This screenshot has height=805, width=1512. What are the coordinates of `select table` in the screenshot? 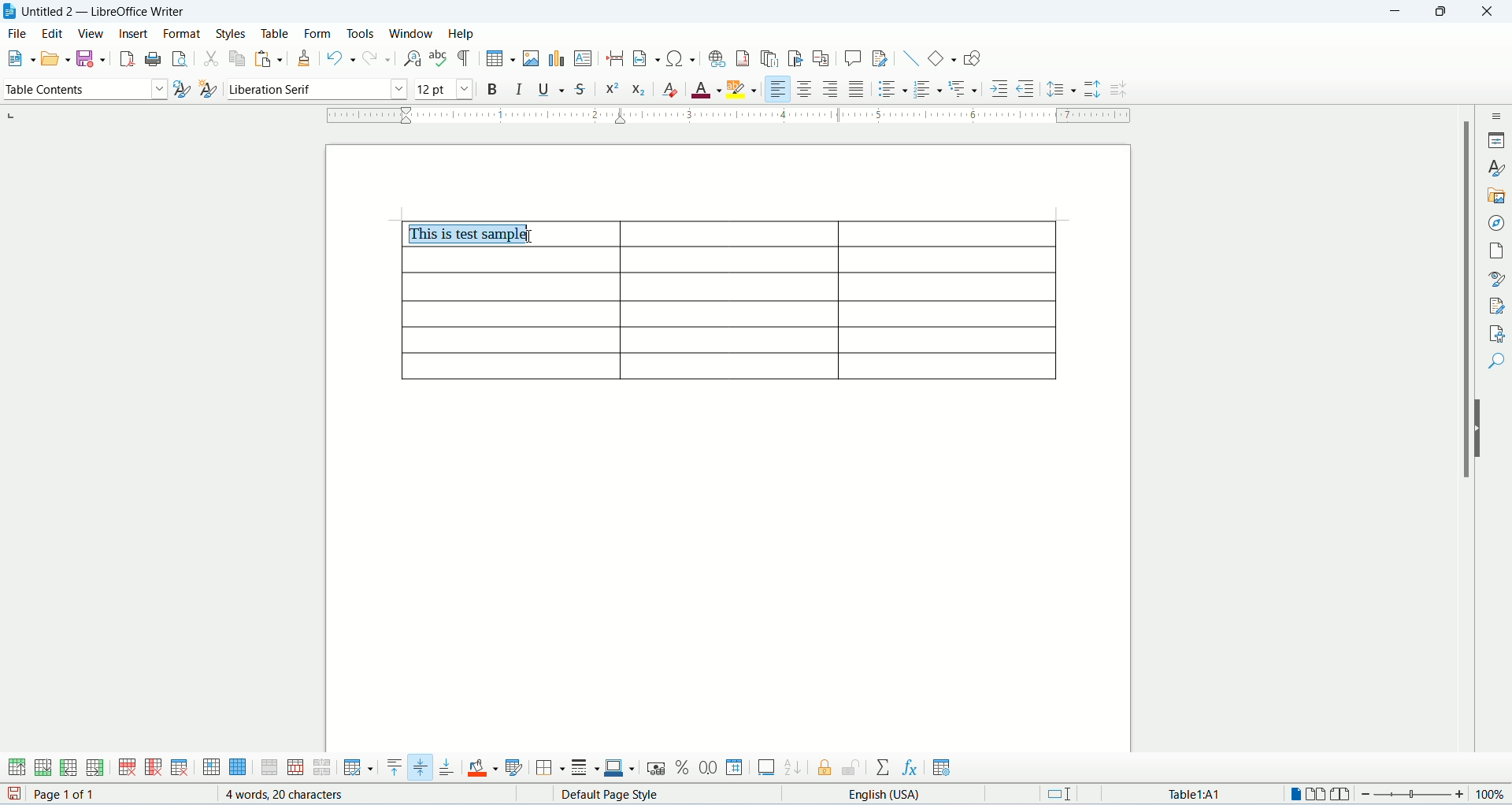 It's located at (238, 770).